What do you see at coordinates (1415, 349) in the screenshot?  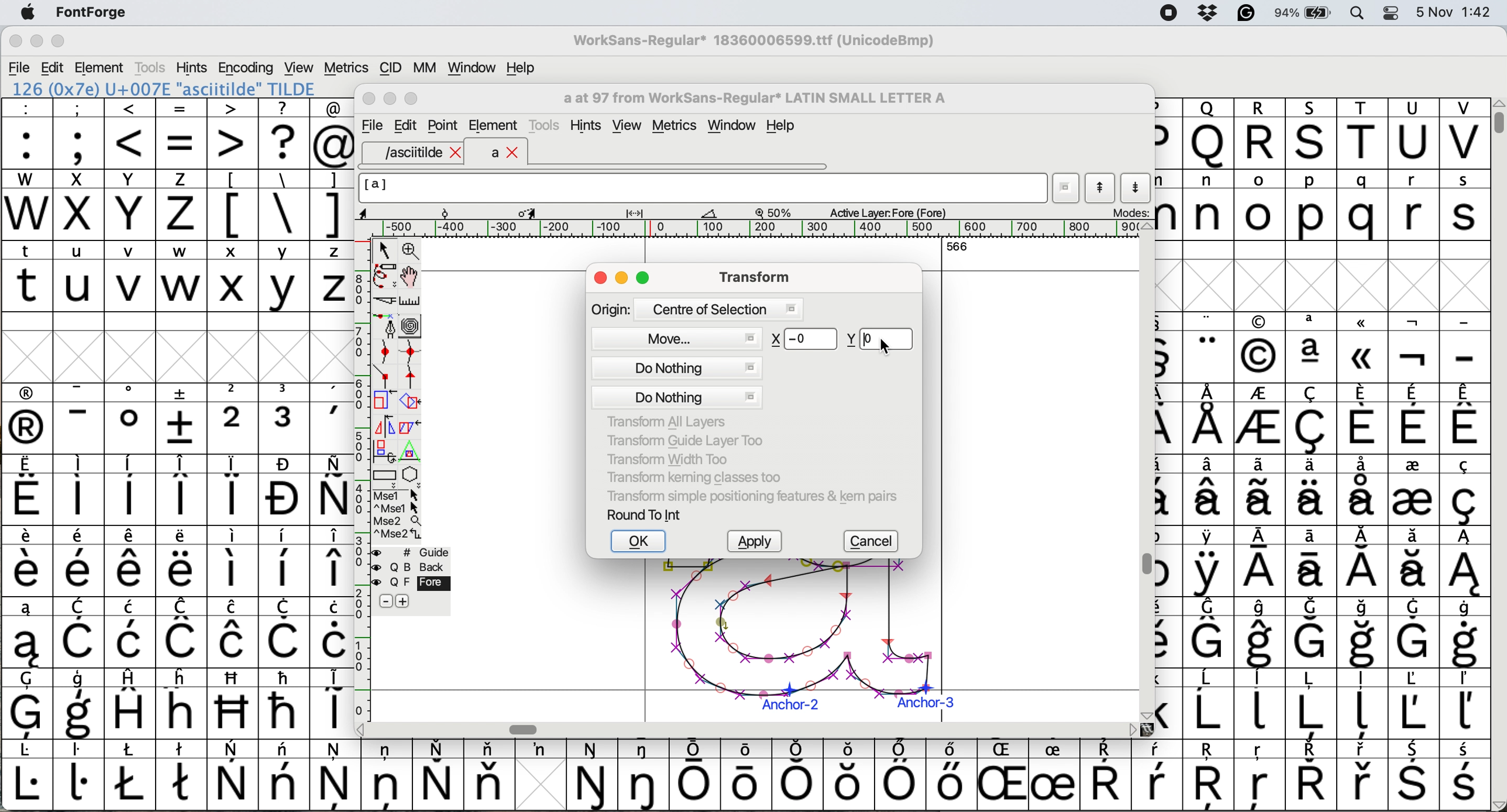 I see `symbol` at bounding box center [1415, 349].